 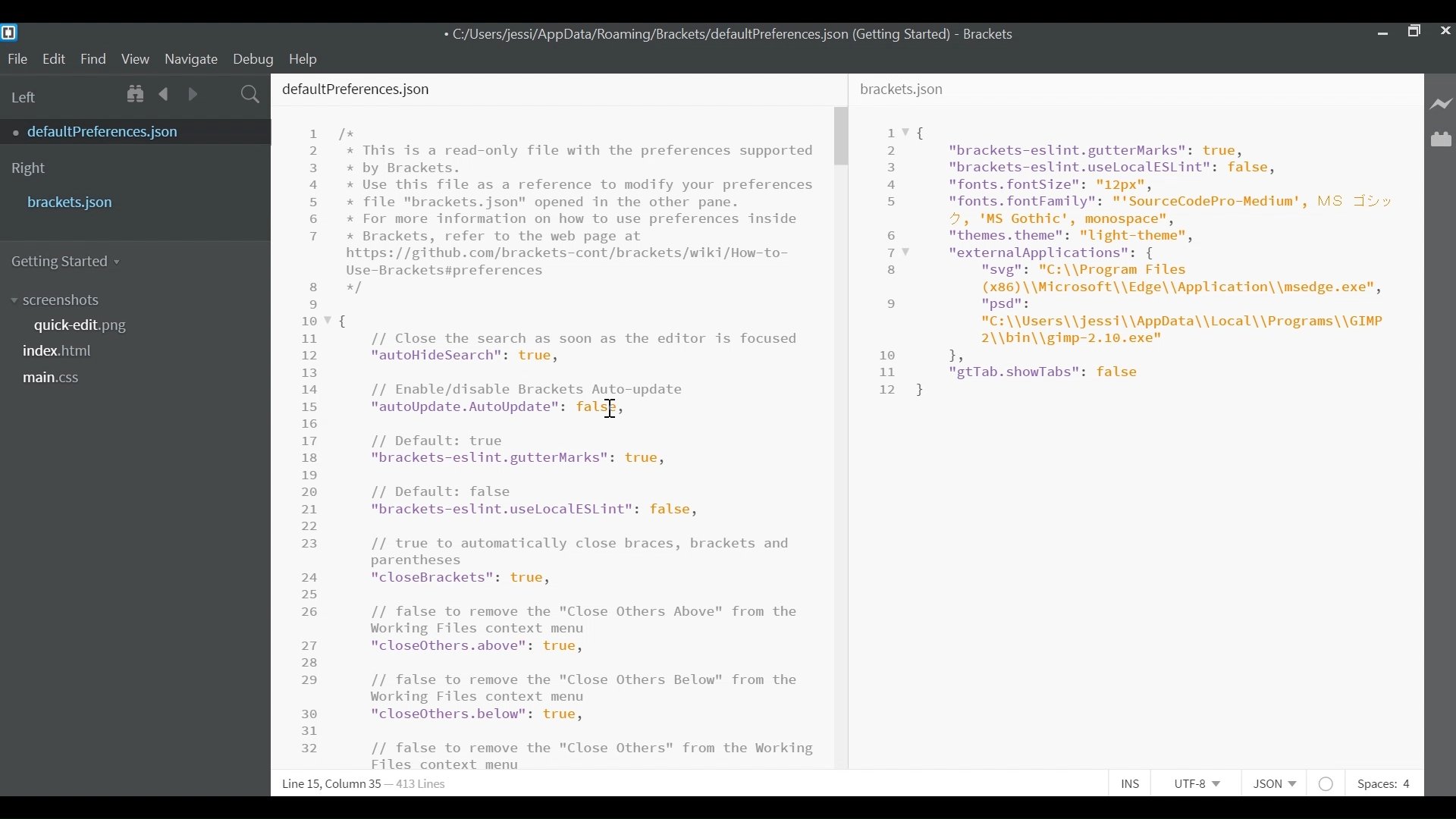 What do you see at coordinates (63, 350) in the screenshot?
I see `index.html` at bounding box center [63, 350].